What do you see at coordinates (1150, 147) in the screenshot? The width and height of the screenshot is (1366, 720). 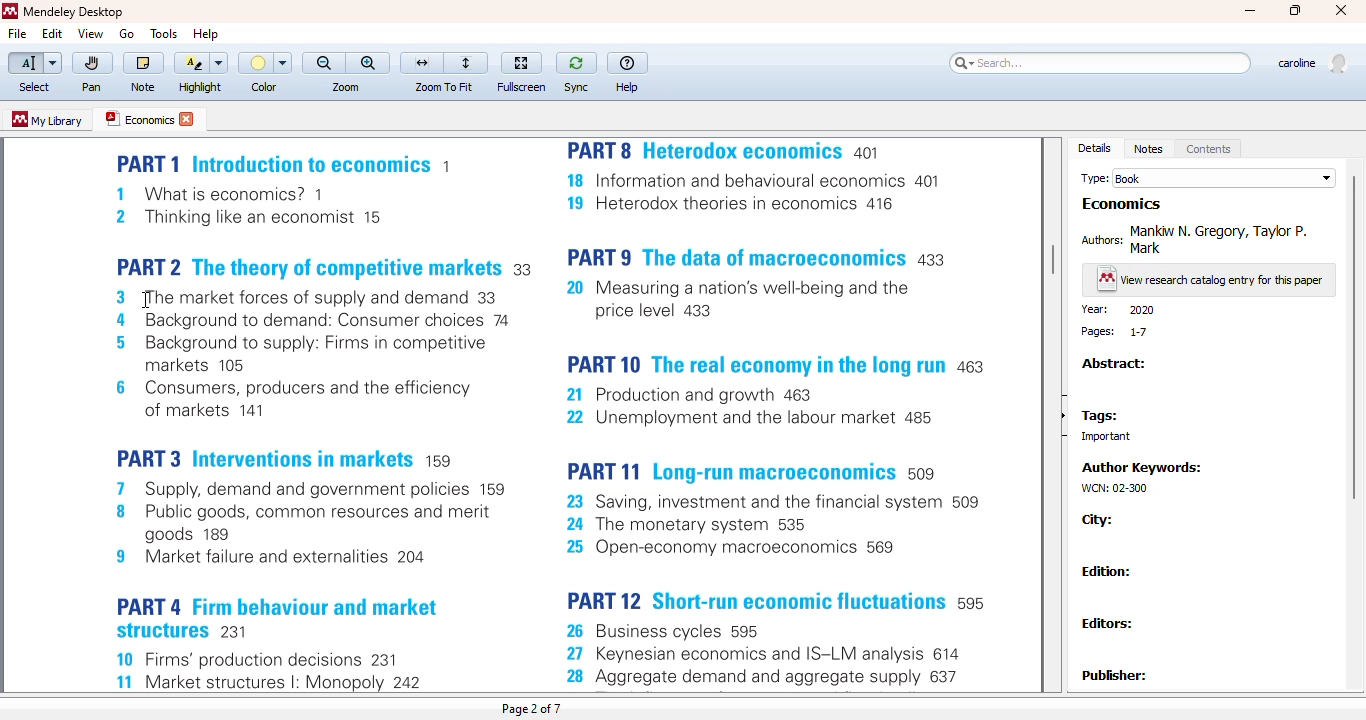 I see `Notes` at bounding box center [1150, 147].